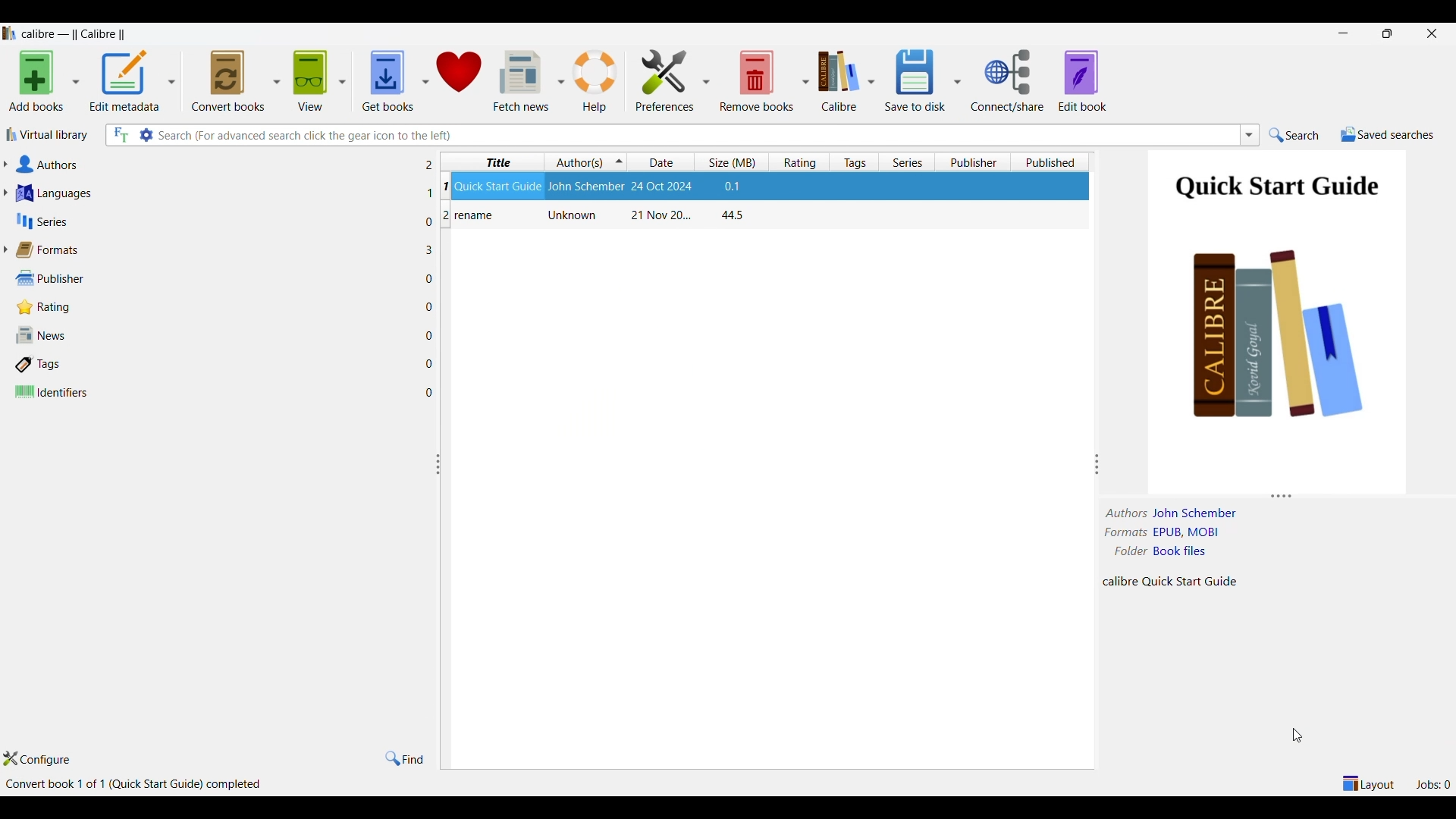 The image size is (1456, 819). What do you see at coordinates (661, 162) in the screenshot?
I see `Date column` at bounding box center [661, 162].